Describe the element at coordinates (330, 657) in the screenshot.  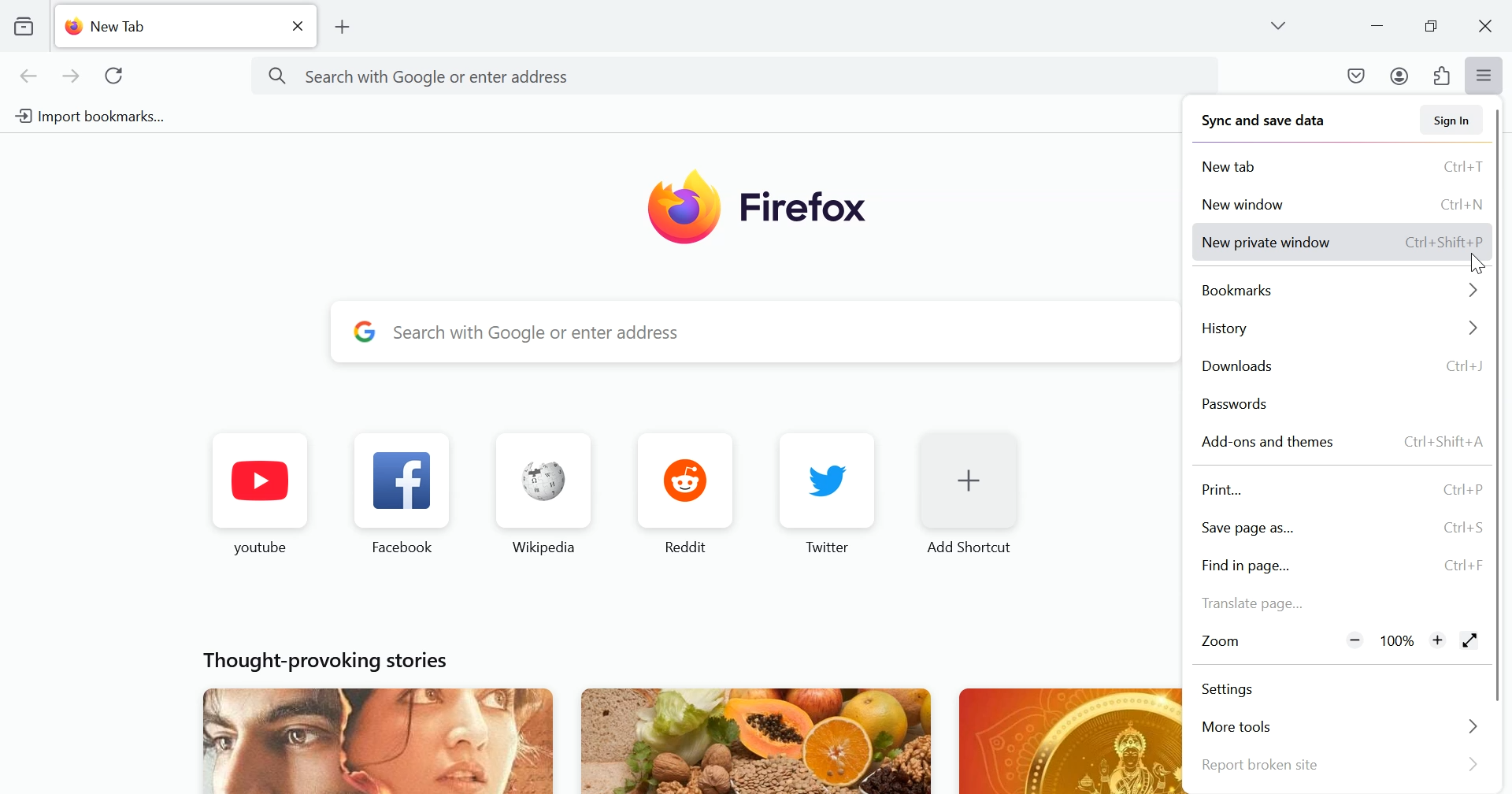
I see `Thought provoking stories` at that location.